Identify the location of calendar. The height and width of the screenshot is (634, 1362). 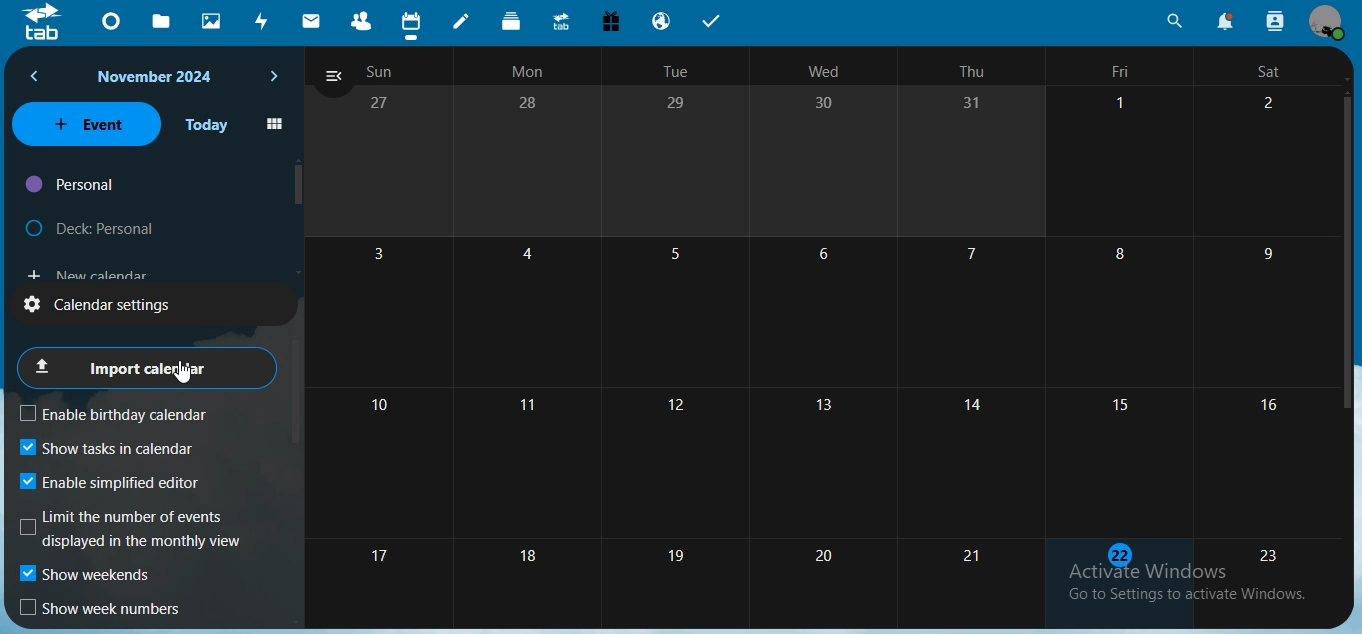
(831, 331).